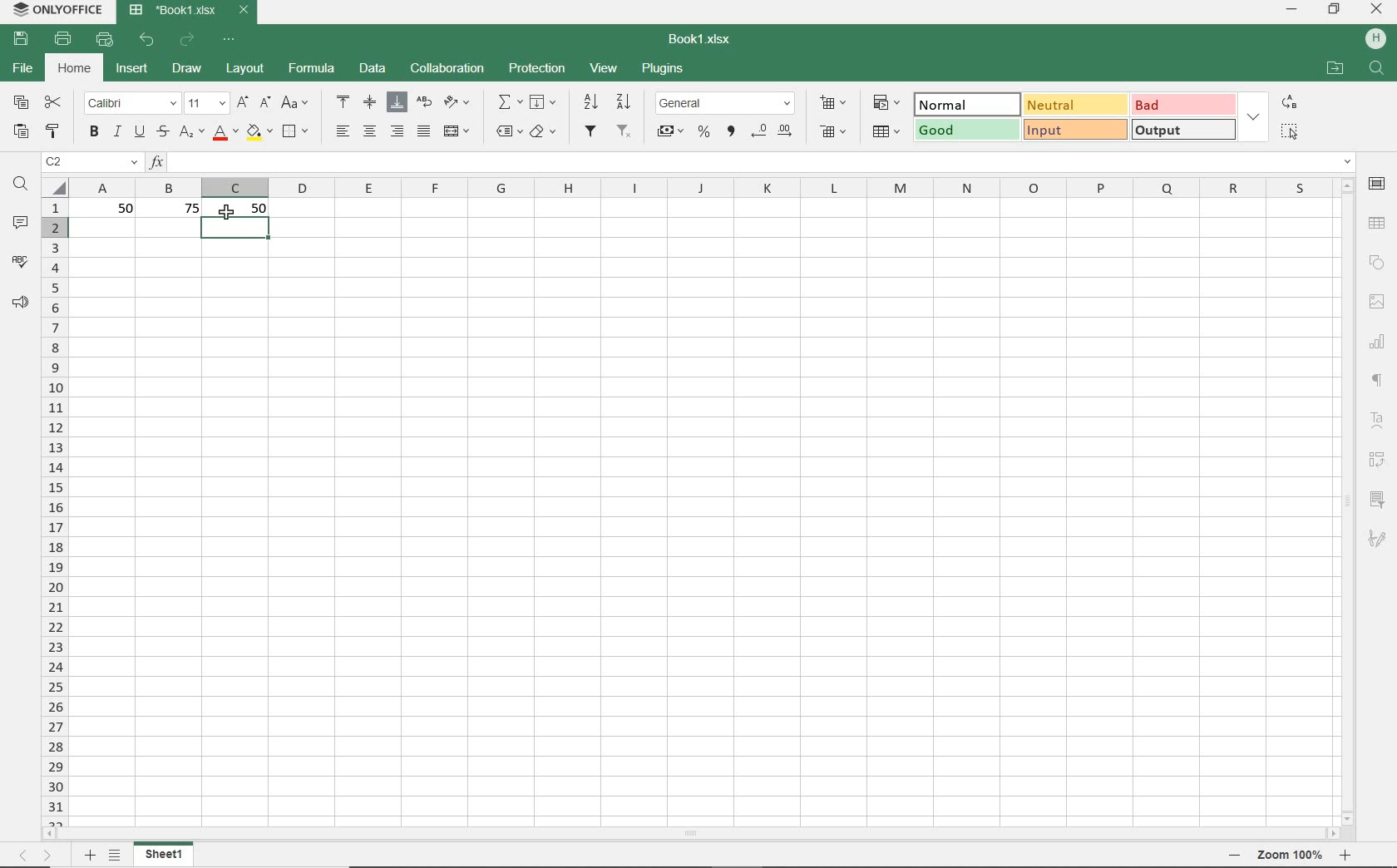 Image resolution: width=1397 pixels, height=868 pixels. What do you see at coordinates (774, 131) in the screenshot?
I see `decrease/increase decimal` at bounding box center [774, 131].